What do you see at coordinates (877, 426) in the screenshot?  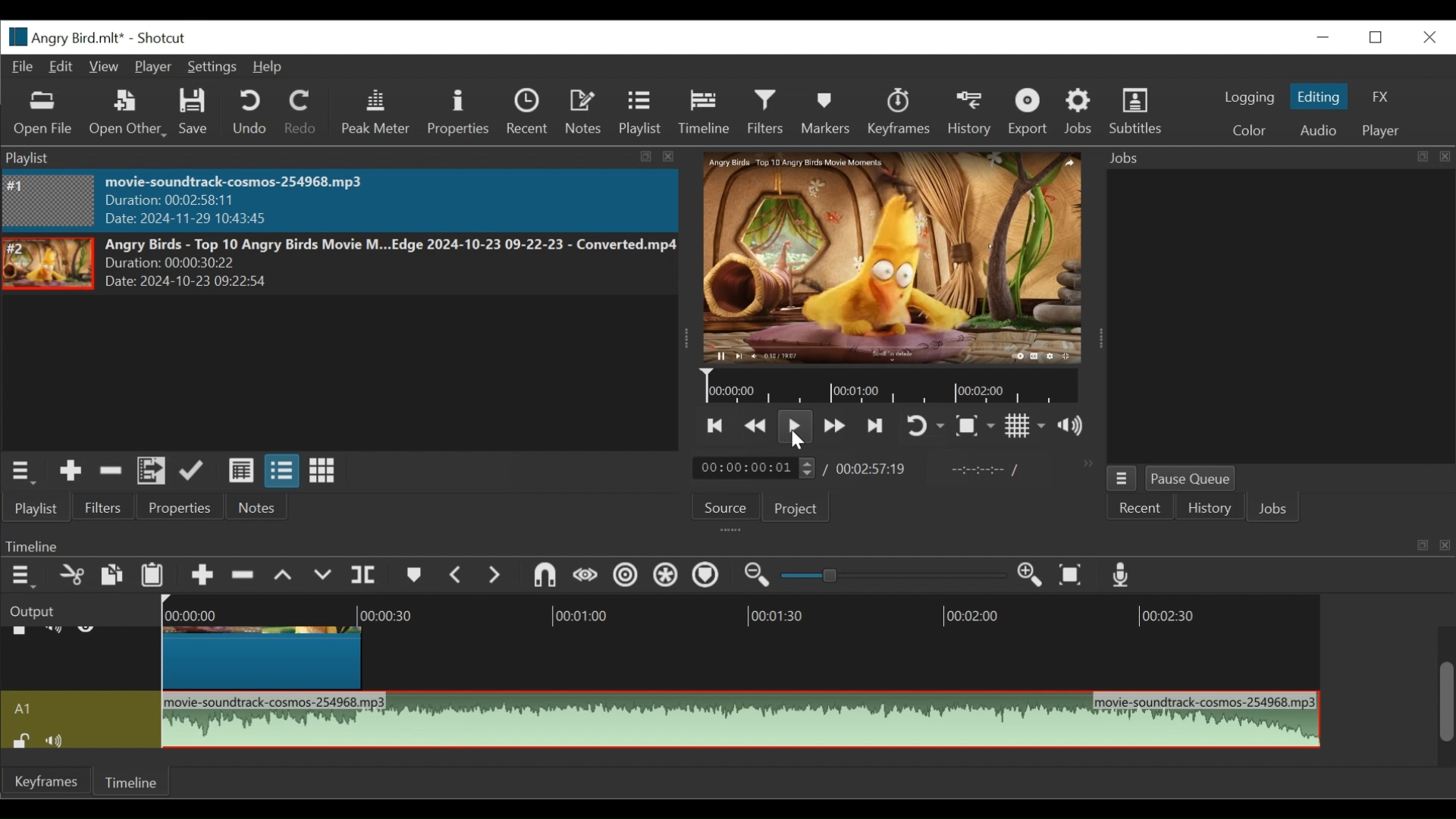 I see `Skip to the next point` at bounding box center [877, 426].